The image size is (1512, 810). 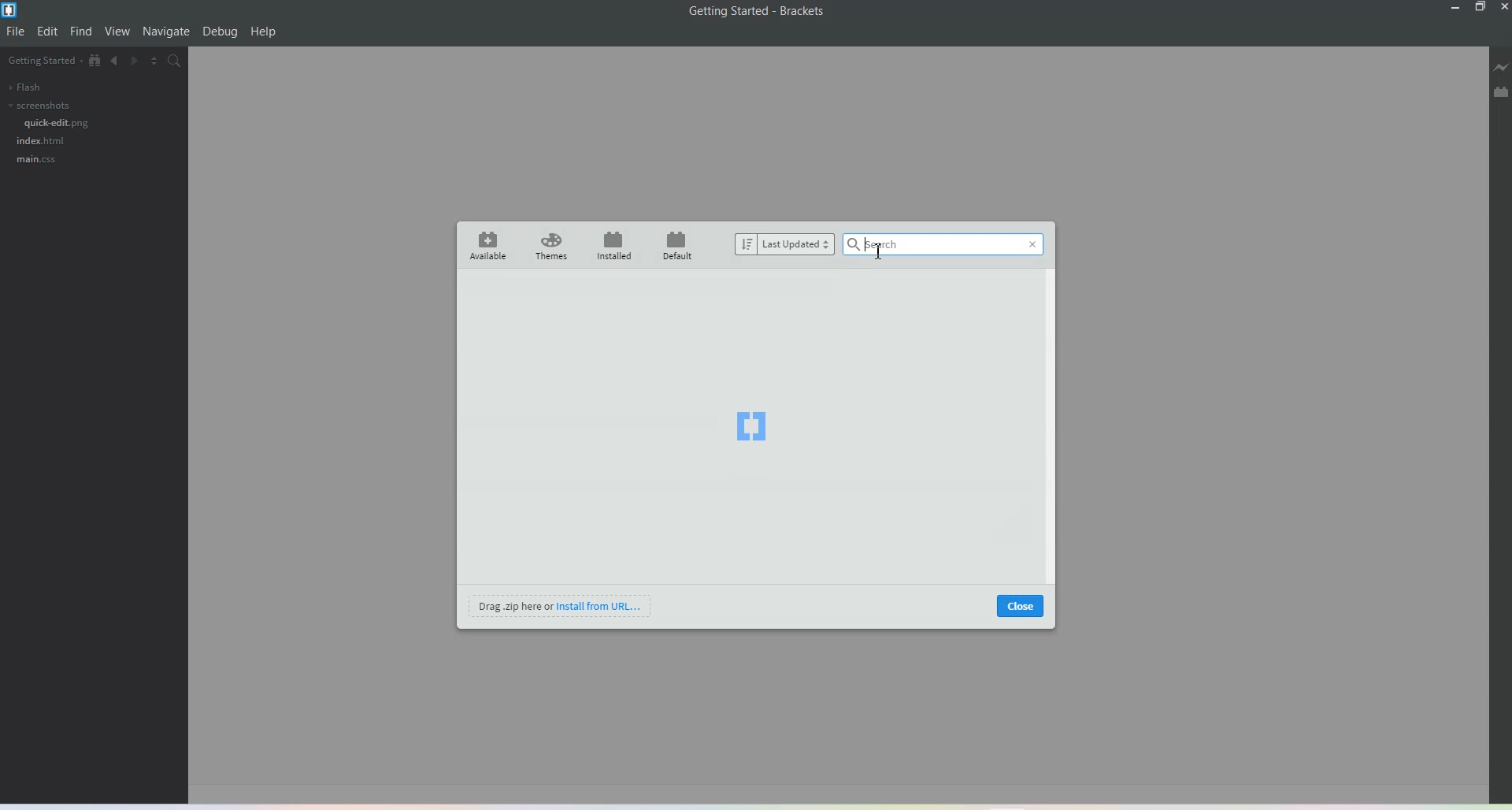 I want to click on Installed, so click(x=614, y=245).